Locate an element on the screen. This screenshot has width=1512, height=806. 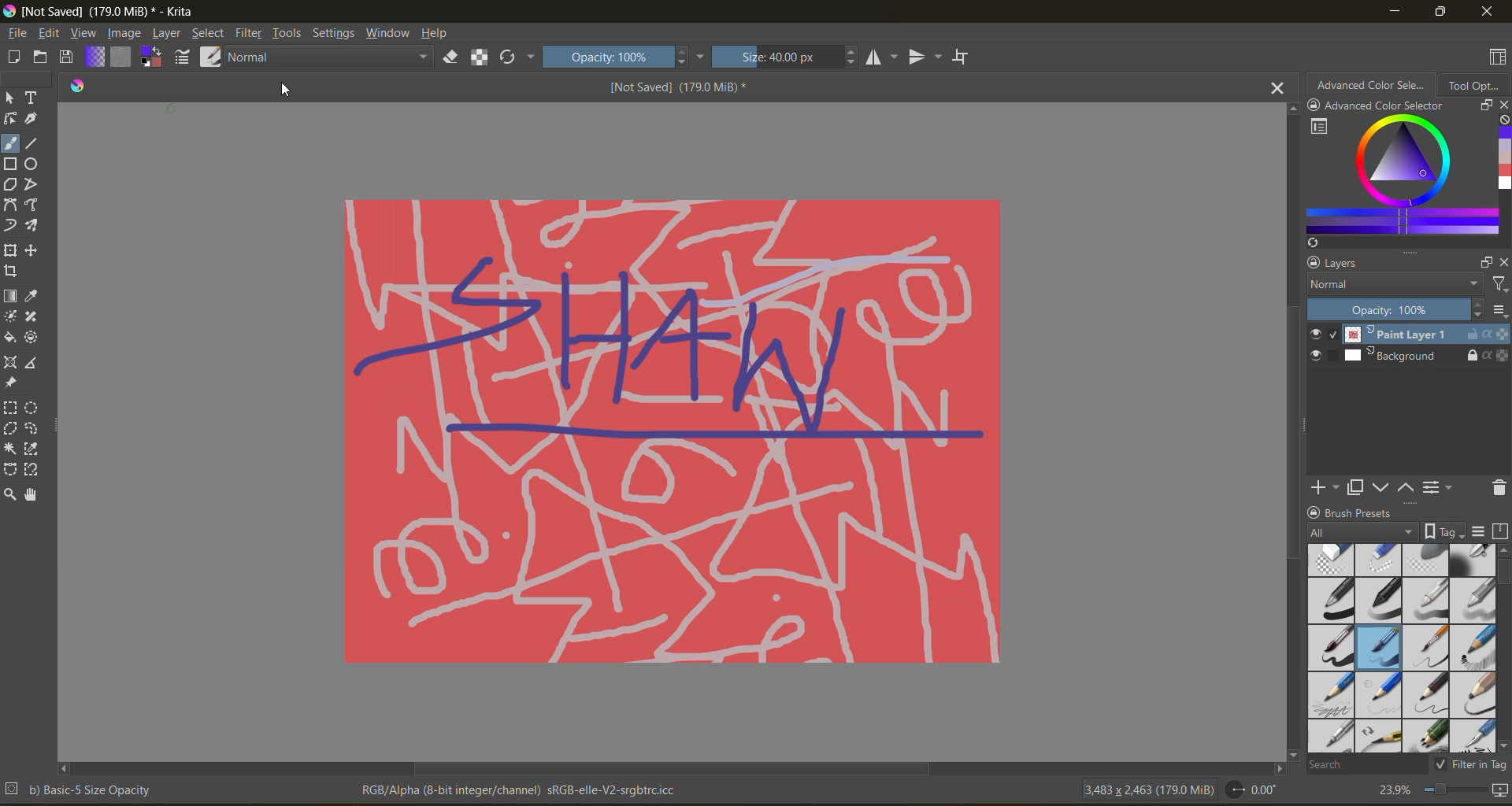
search is located at coordinates (1368, 766).